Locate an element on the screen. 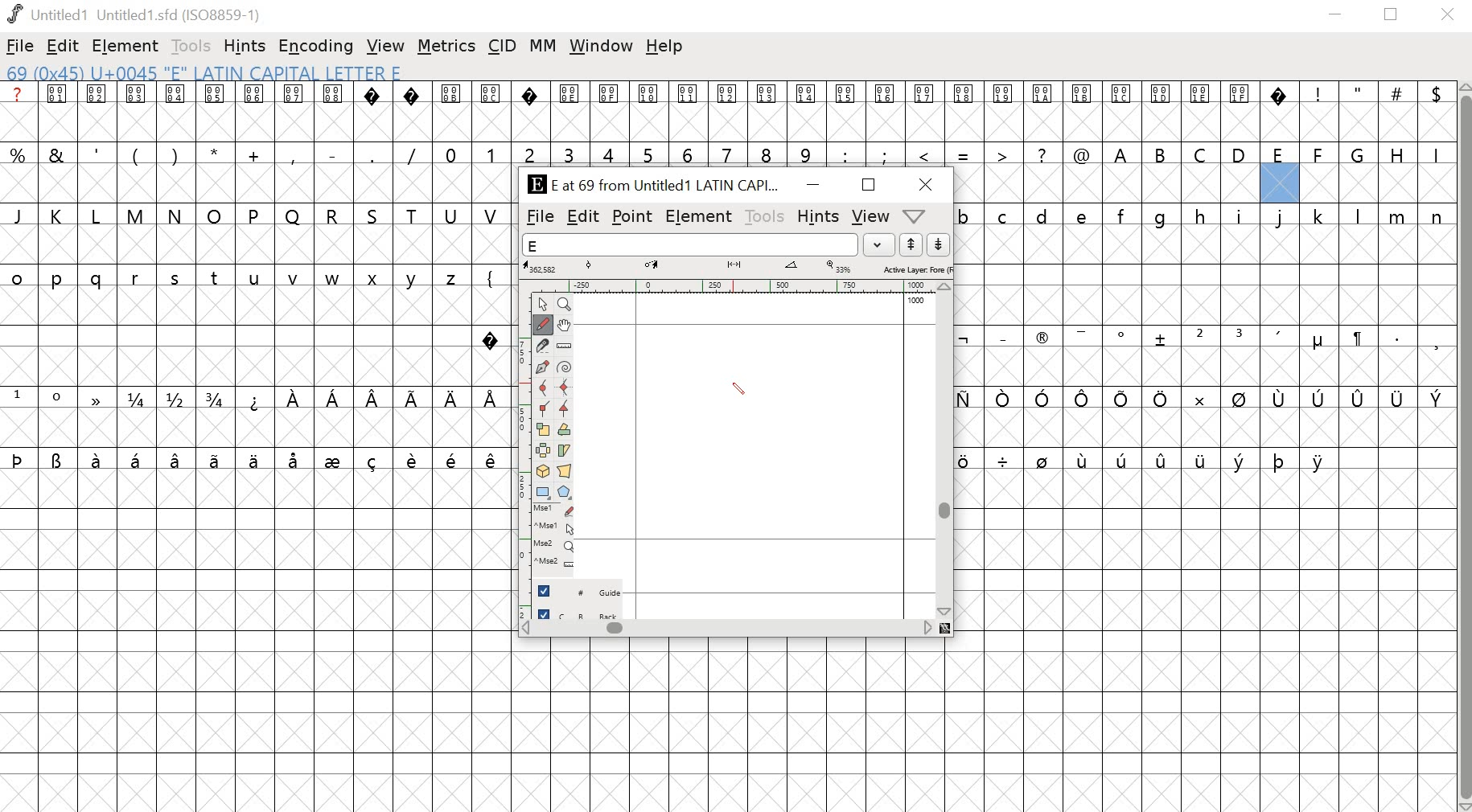  Flip is located at coordinates (543, 451).